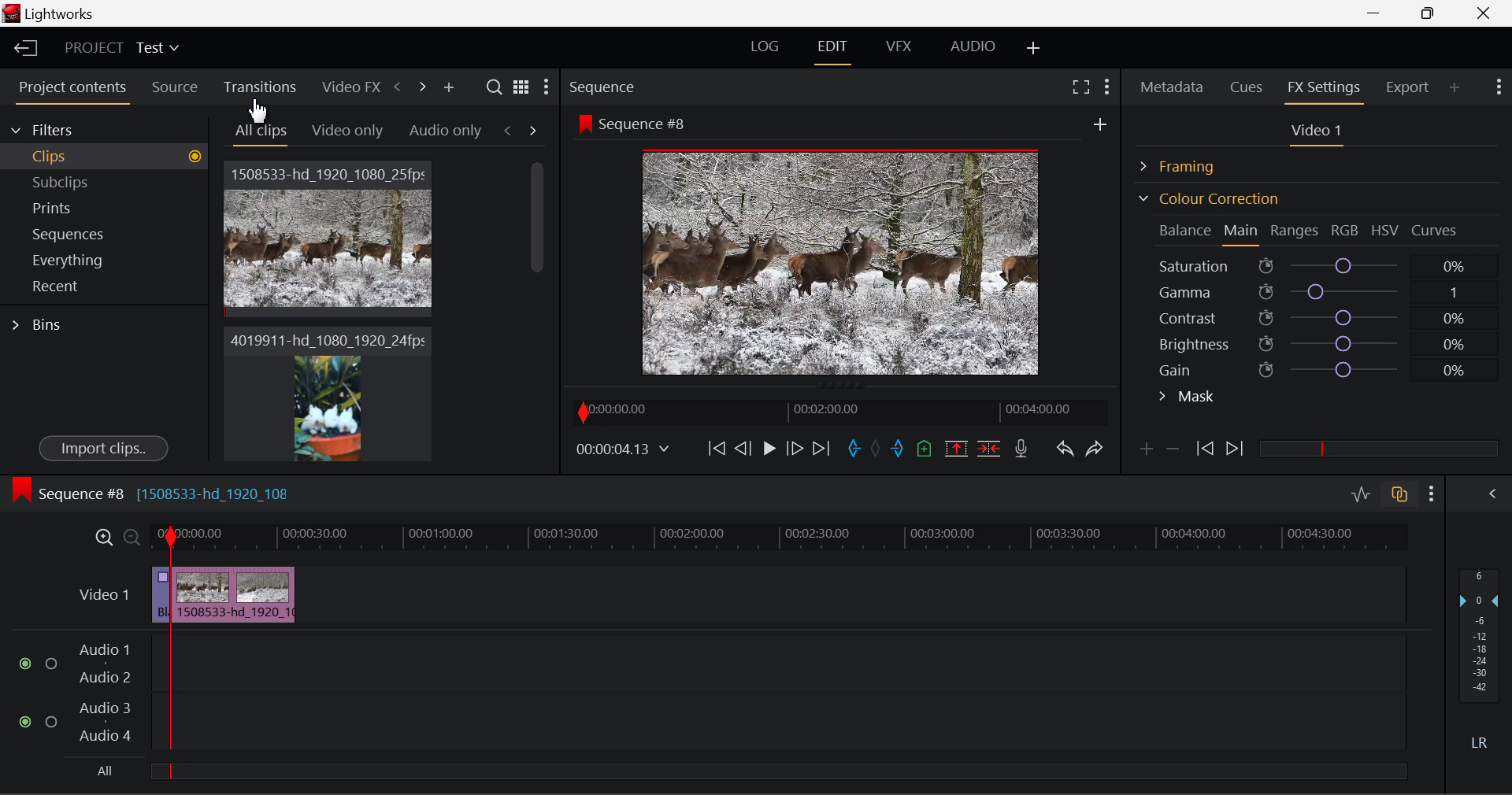  What do you see at coordinates (327, 408) in the screenshot?
I see `Clip 2` at bounding box center [327, 408].